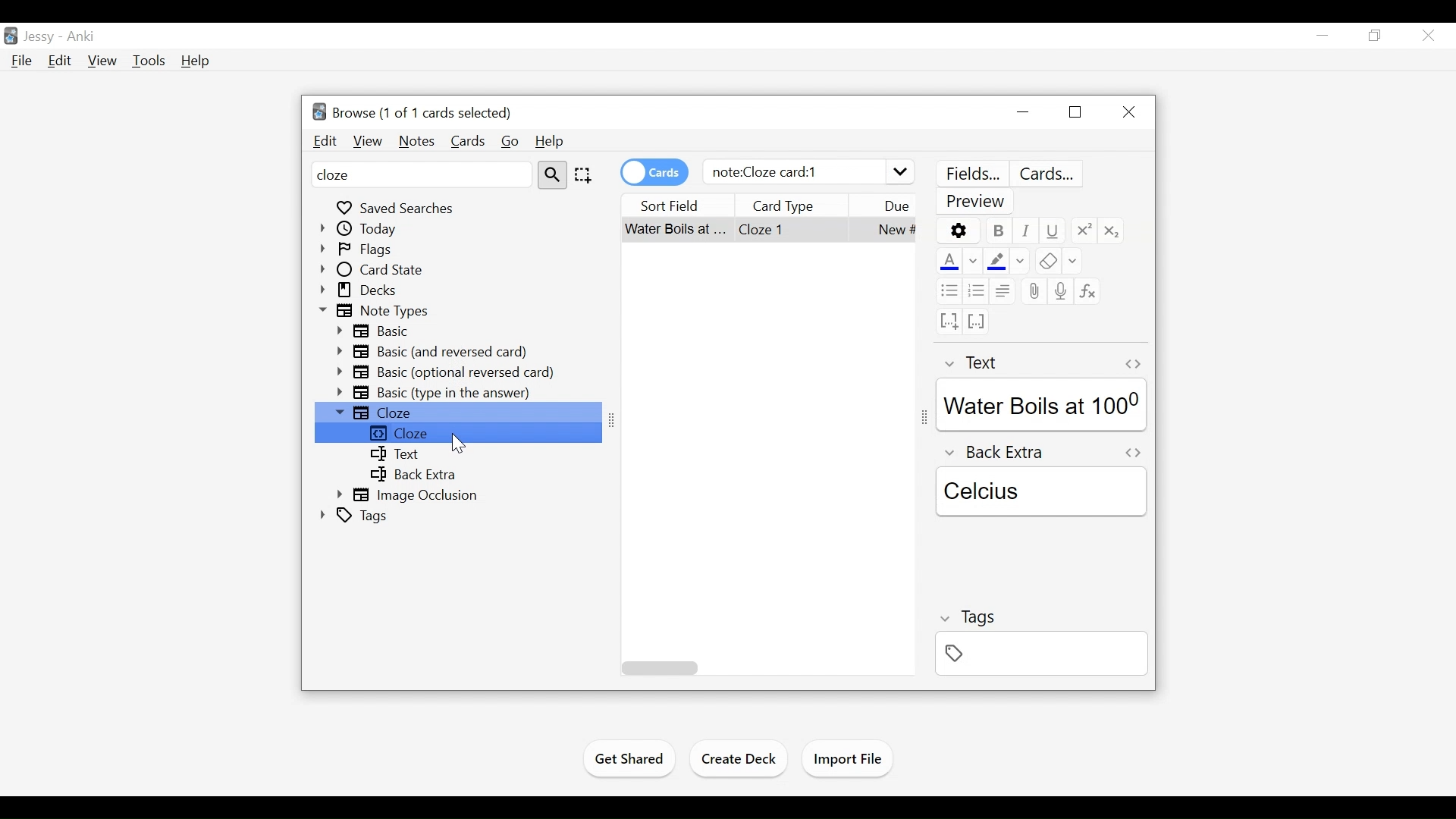 The height and width of the screenshot is (819, 1456). Describe the element at coordinates (102, 60) in the screenshot. I see `View` at that location.